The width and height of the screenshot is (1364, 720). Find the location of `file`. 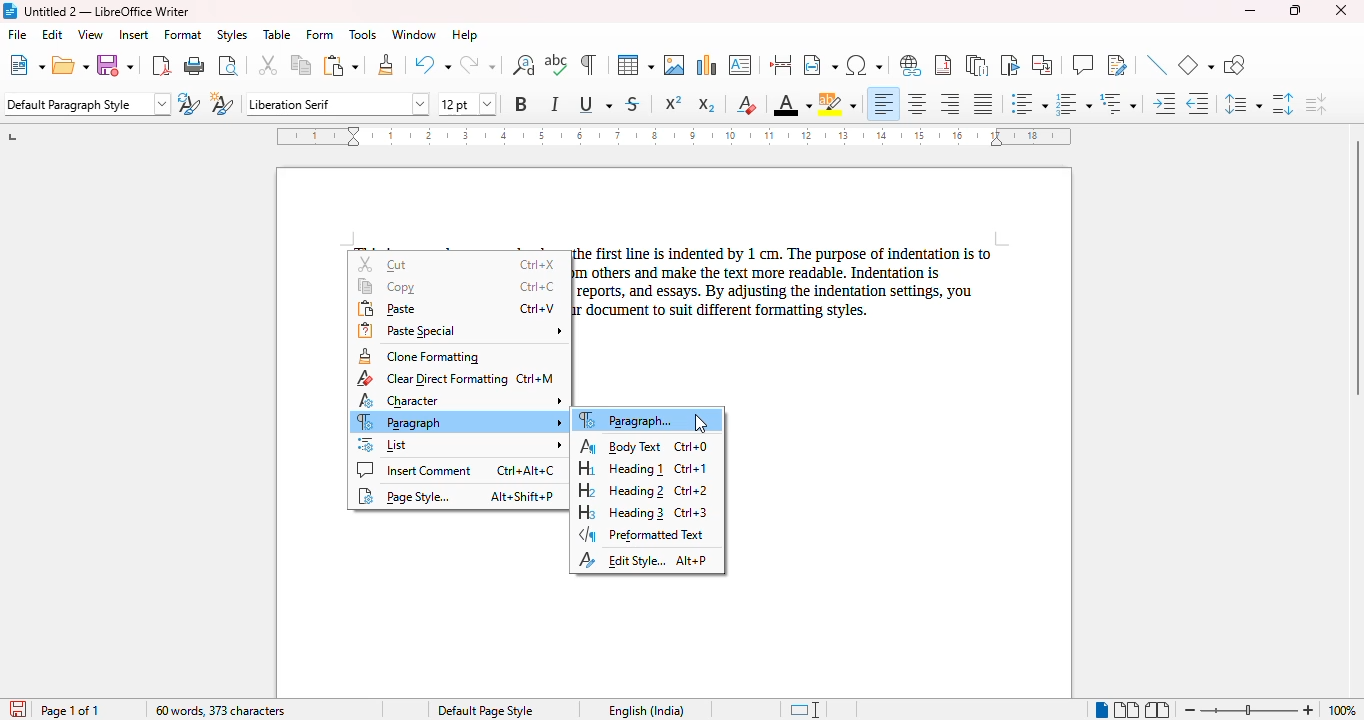

file is located at coordinates (17, 34).